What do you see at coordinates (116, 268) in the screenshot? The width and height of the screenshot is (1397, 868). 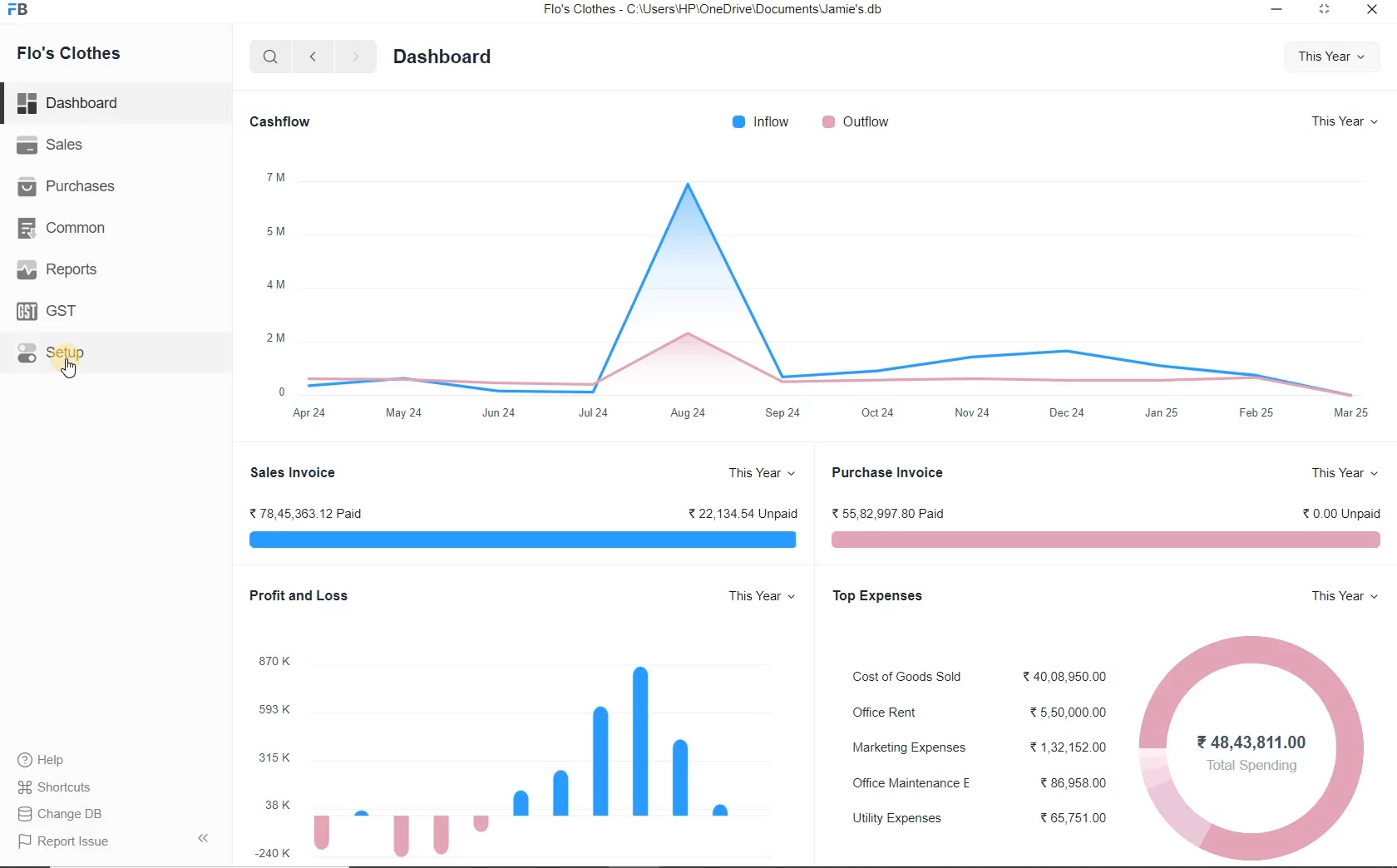 I see `Reports` at bounding box center [116, 268].